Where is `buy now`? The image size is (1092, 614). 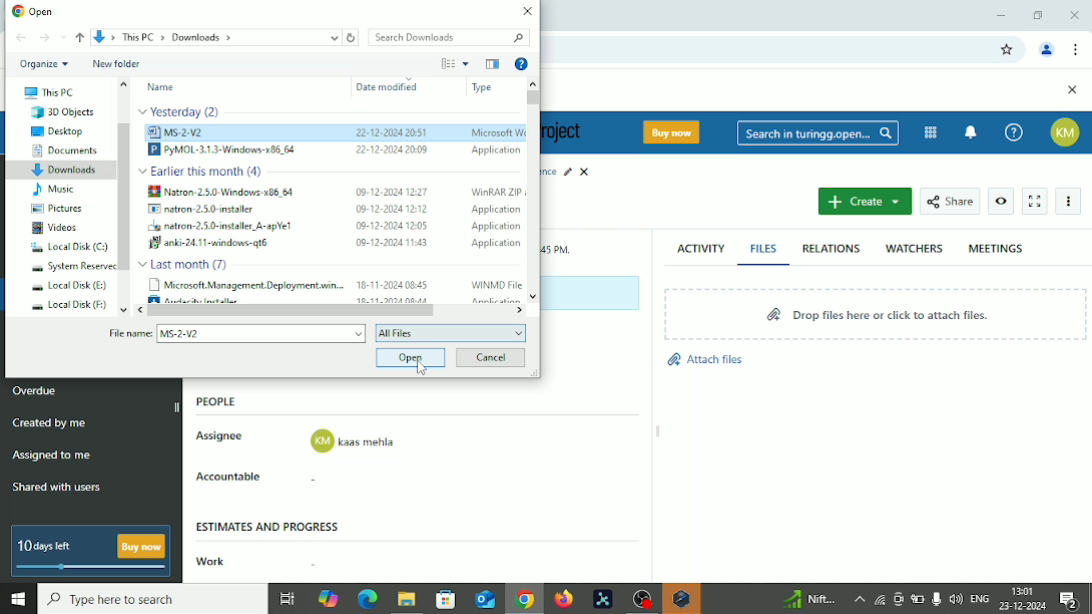
buy now is located at coordinates (142, 546).